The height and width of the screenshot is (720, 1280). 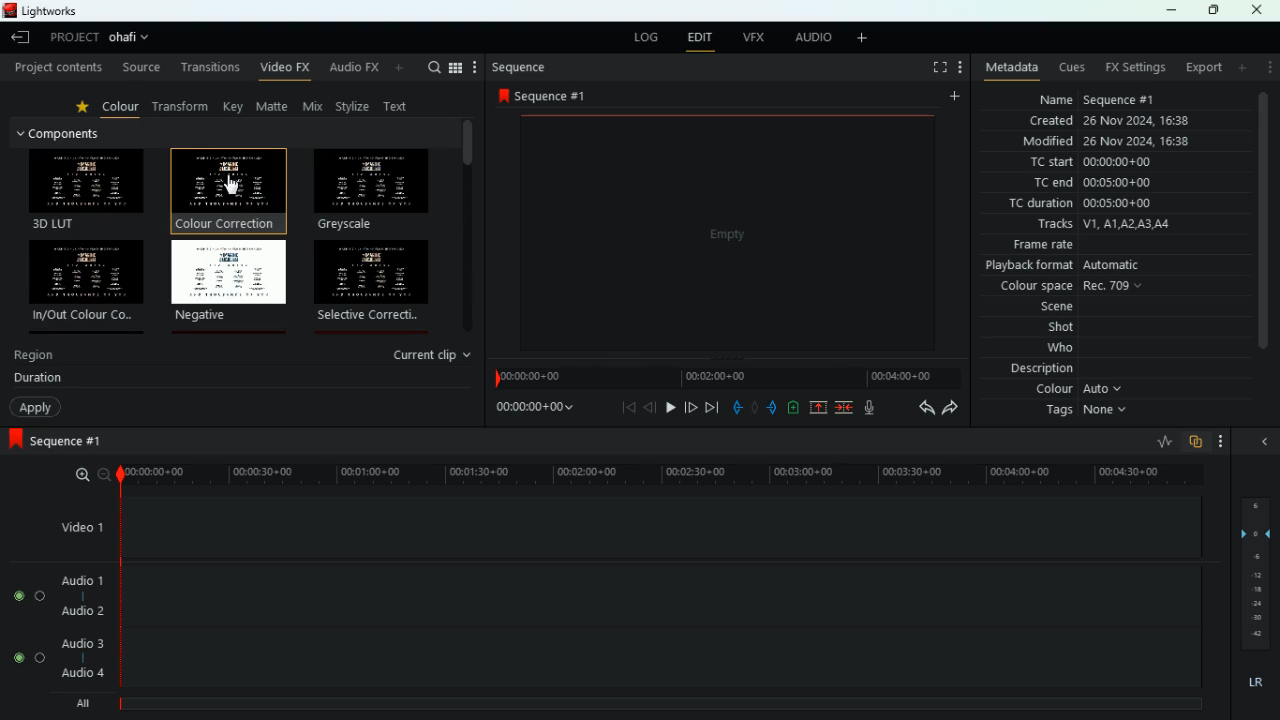 I want to click on sequence, so click(x=75, y=441).